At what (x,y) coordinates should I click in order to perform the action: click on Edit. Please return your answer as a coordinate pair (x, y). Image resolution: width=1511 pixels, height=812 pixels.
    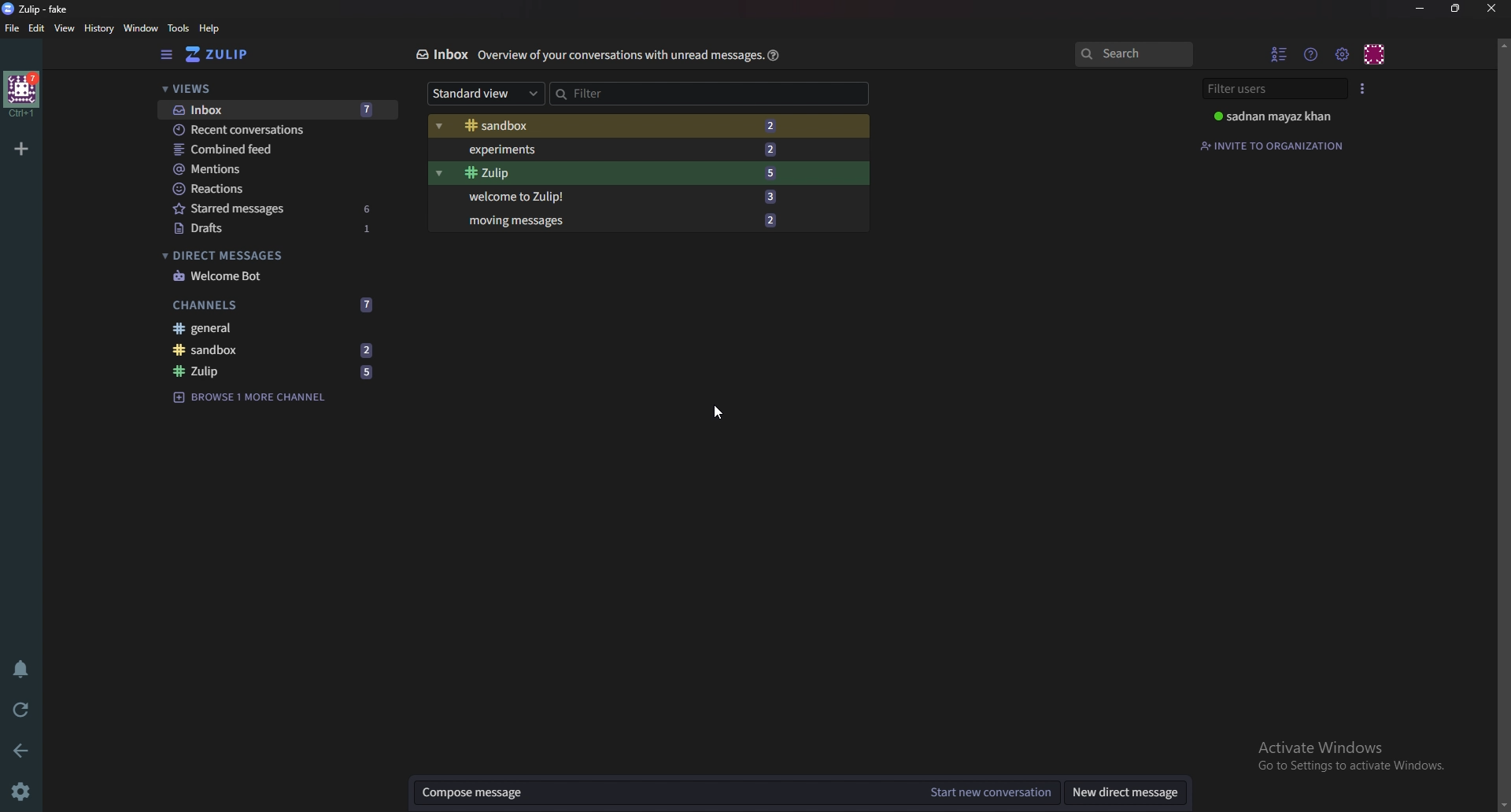
    Looking at the image, I should click on (39, 28).